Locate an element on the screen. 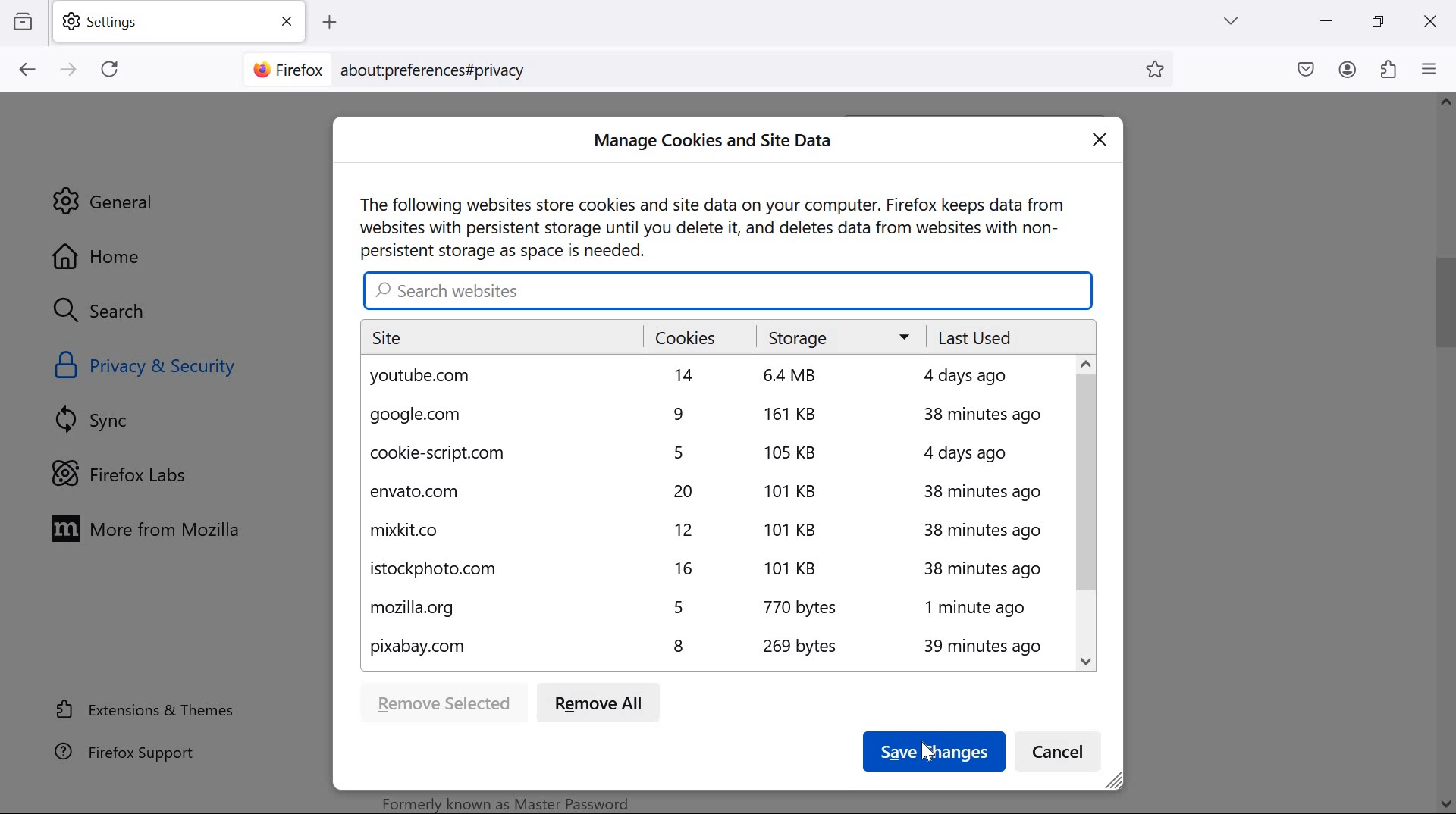 The height and width of the screenshot is (814, 1456). remove selected is located at coordinates (442, 702).